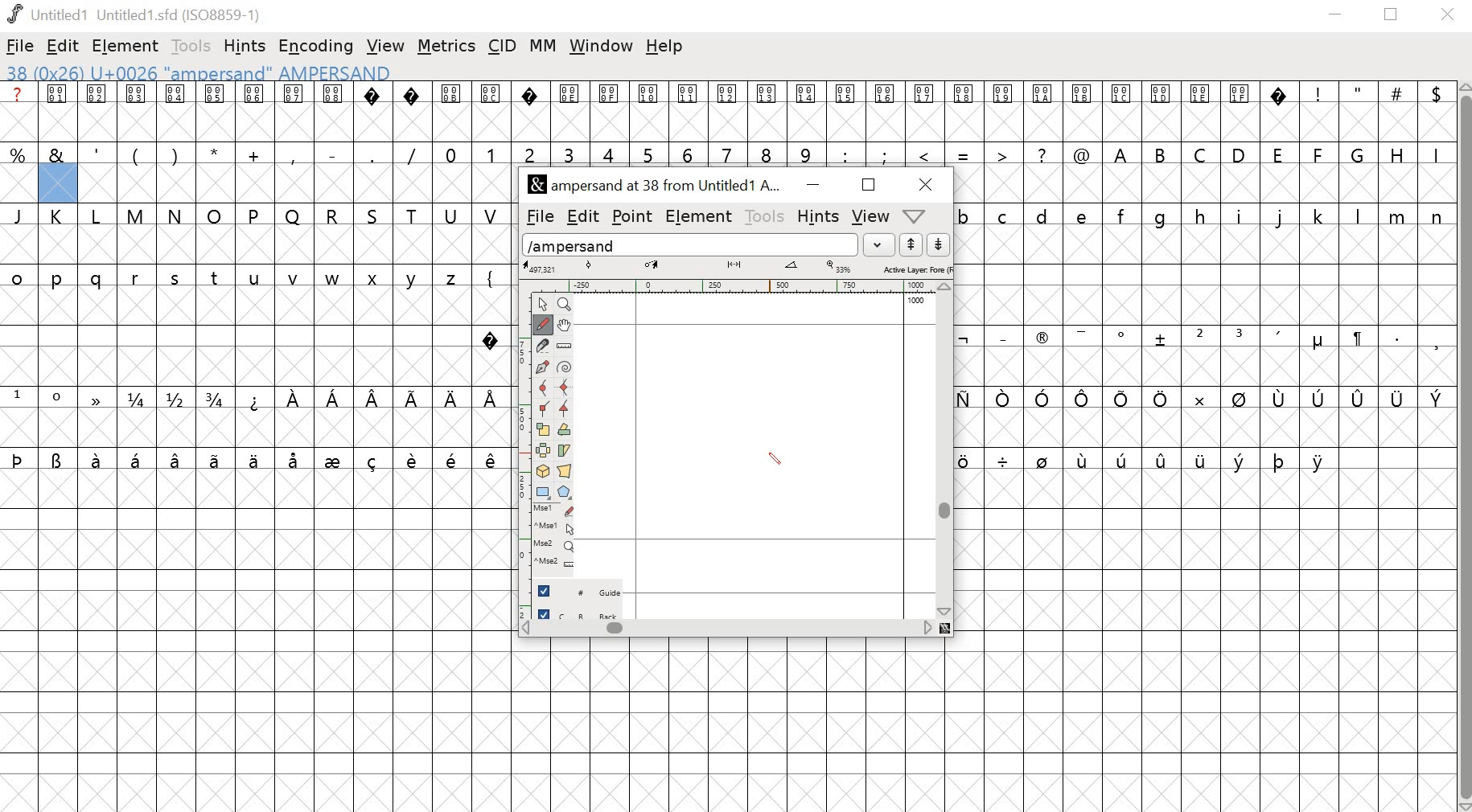 The width and height of the screenshot is (1472, 812). What do you see at coordinates (413, 397) in the screenshot?
I see `symbol` at bounding box center [413, 397].